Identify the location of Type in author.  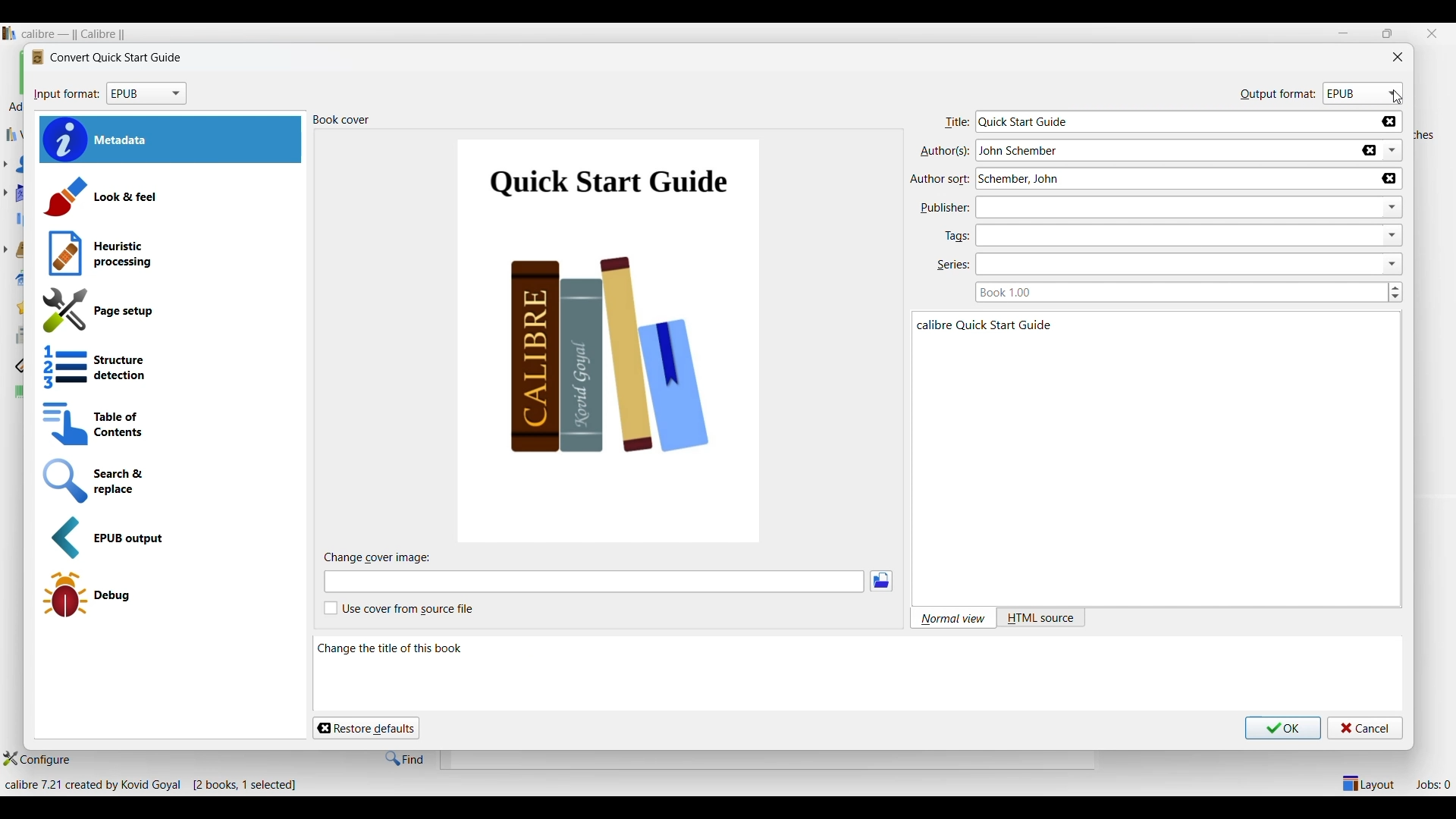
(1143, 179).